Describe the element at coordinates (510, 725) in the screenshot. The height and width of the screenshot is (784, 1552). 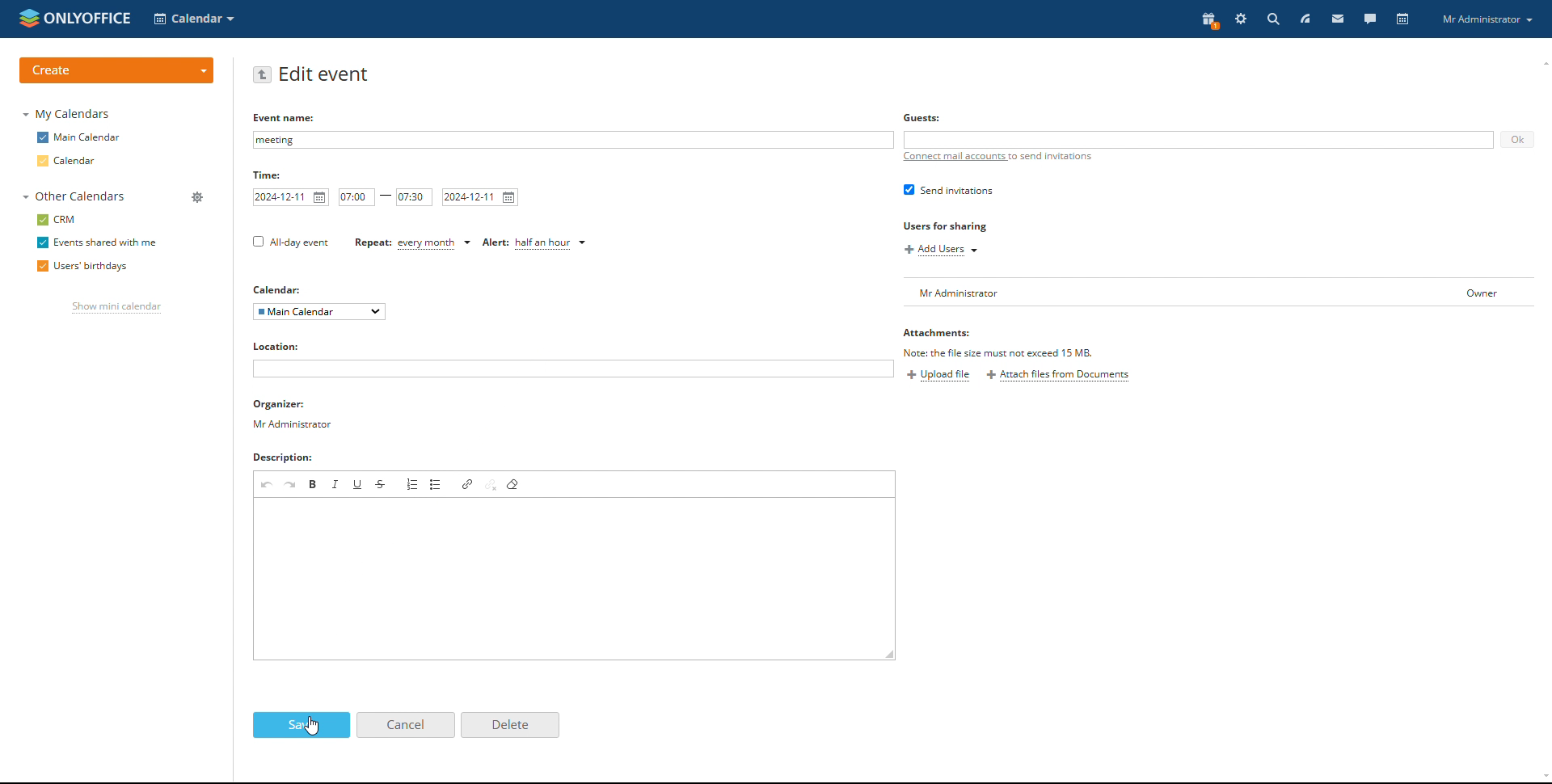
I see `delete` at that location.